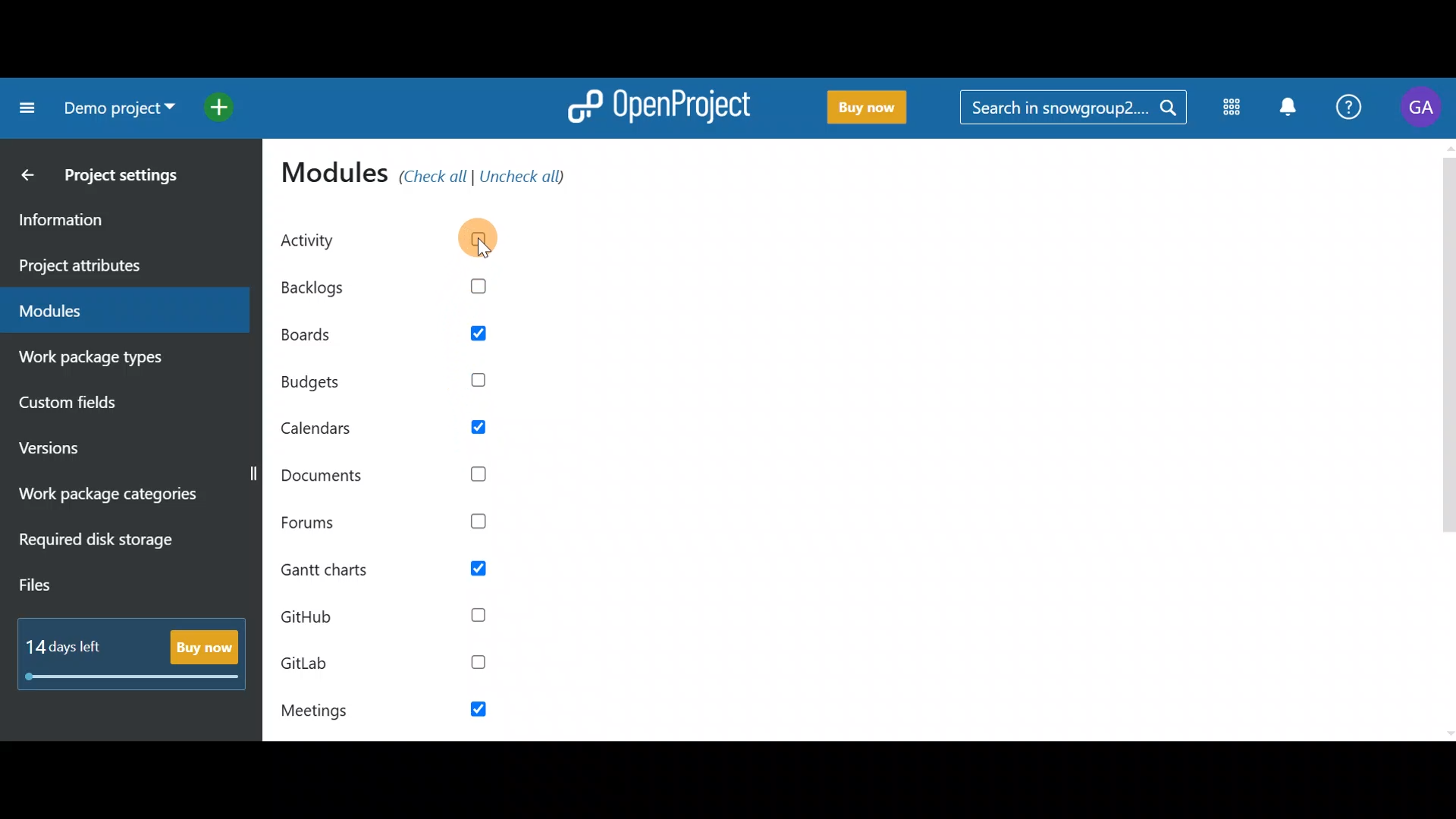 This screenshot has height=819, width=1456. Describe the element at coordinates (120, 266) in the screenshot. I see `Project attributes` at that location.